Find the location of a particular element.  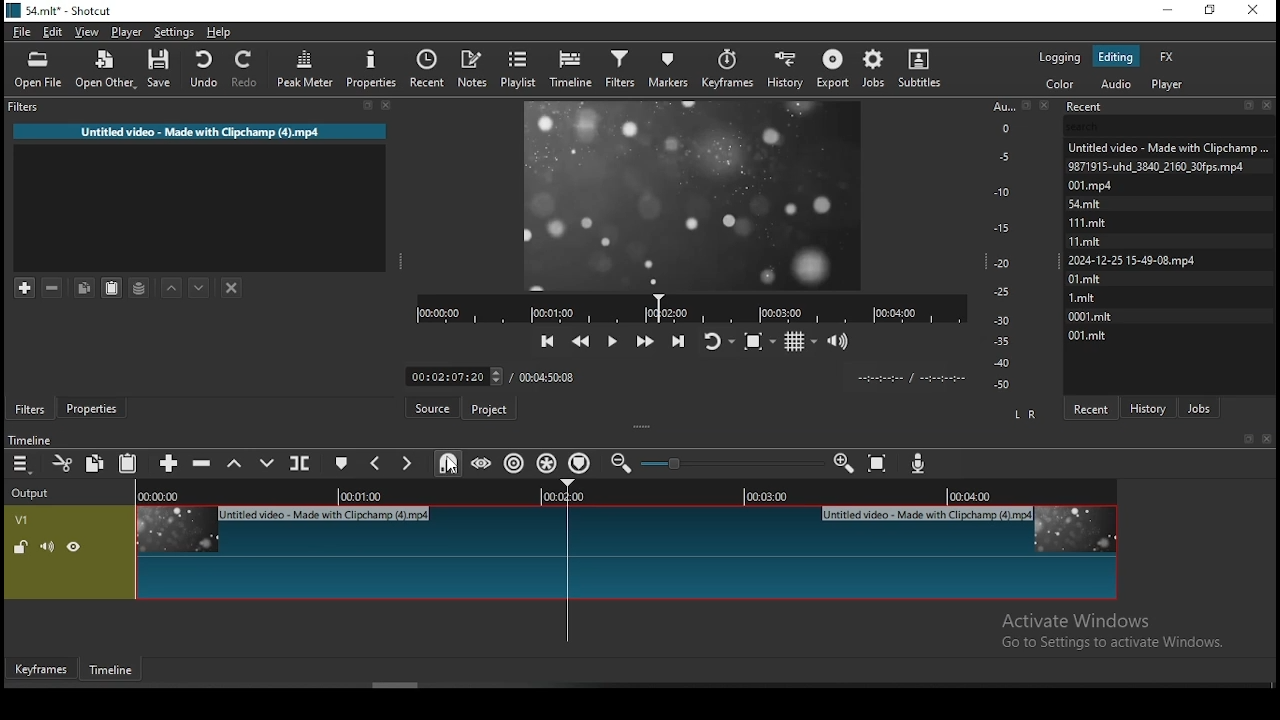

copy is located at coordinates (83, 285).